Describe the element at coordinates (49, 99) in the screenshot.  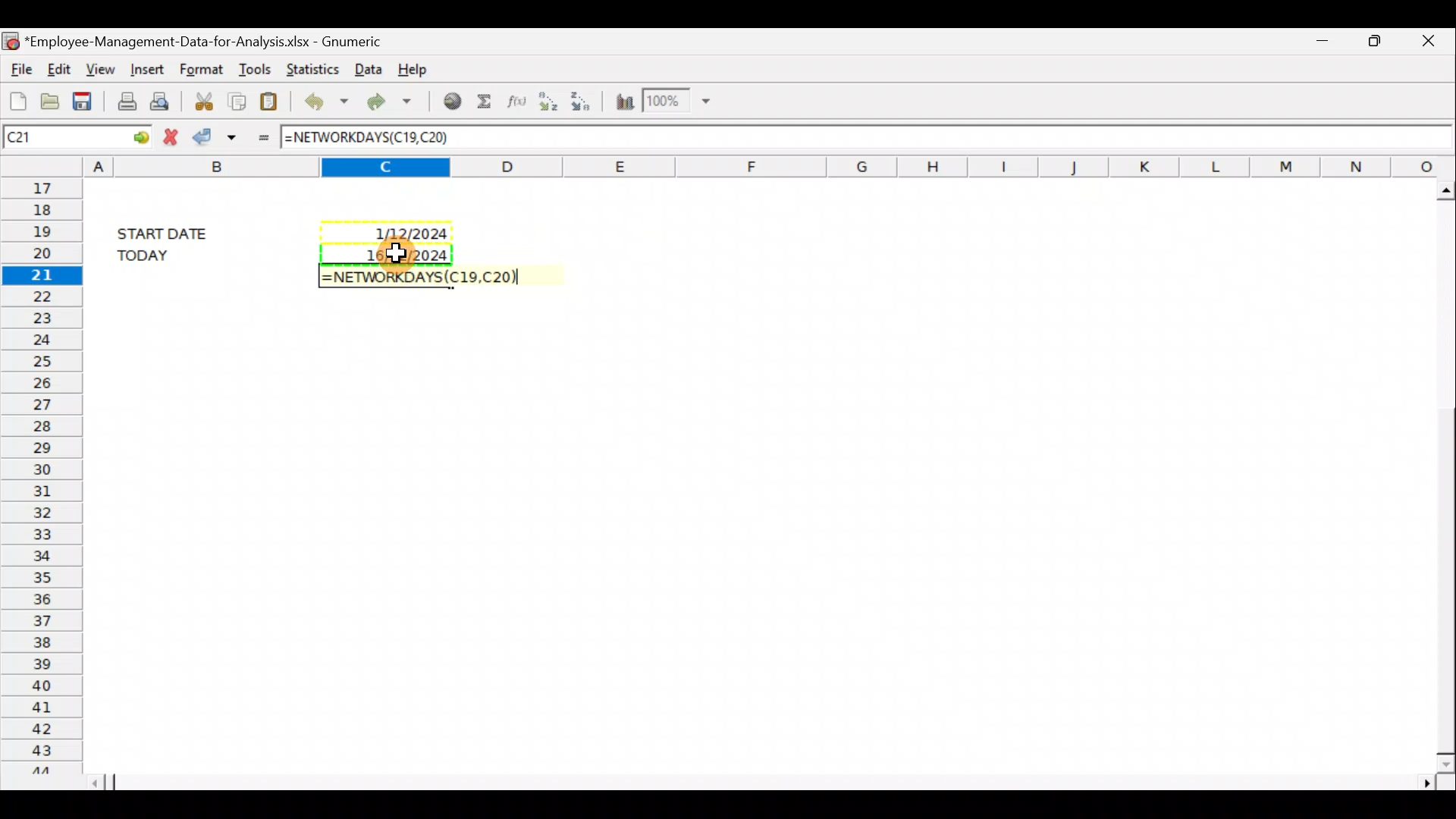
I see `Open a file` at that location.